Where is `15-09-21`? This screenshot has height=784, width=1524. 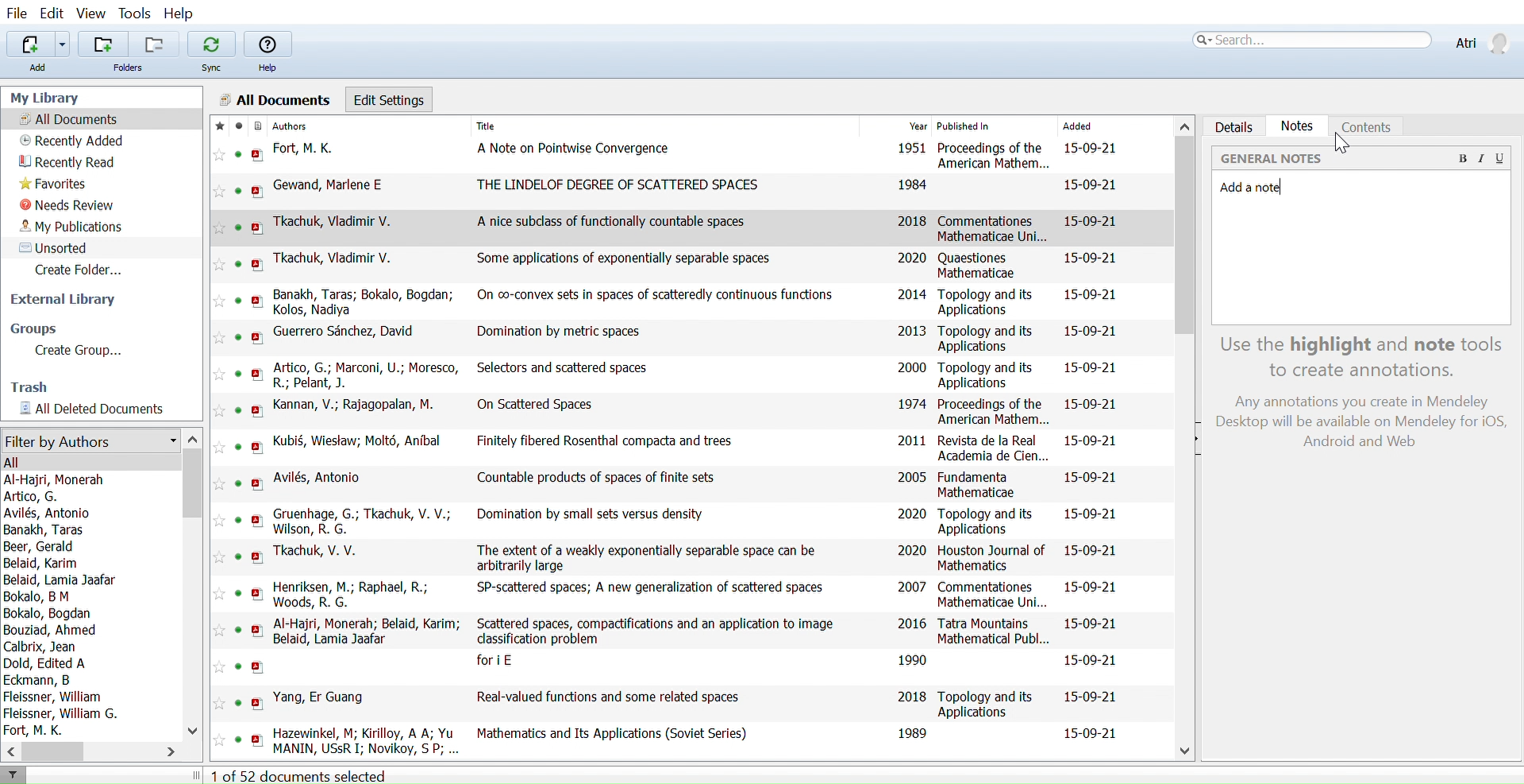
15-09-21 is located at coordinates (1090, 186).